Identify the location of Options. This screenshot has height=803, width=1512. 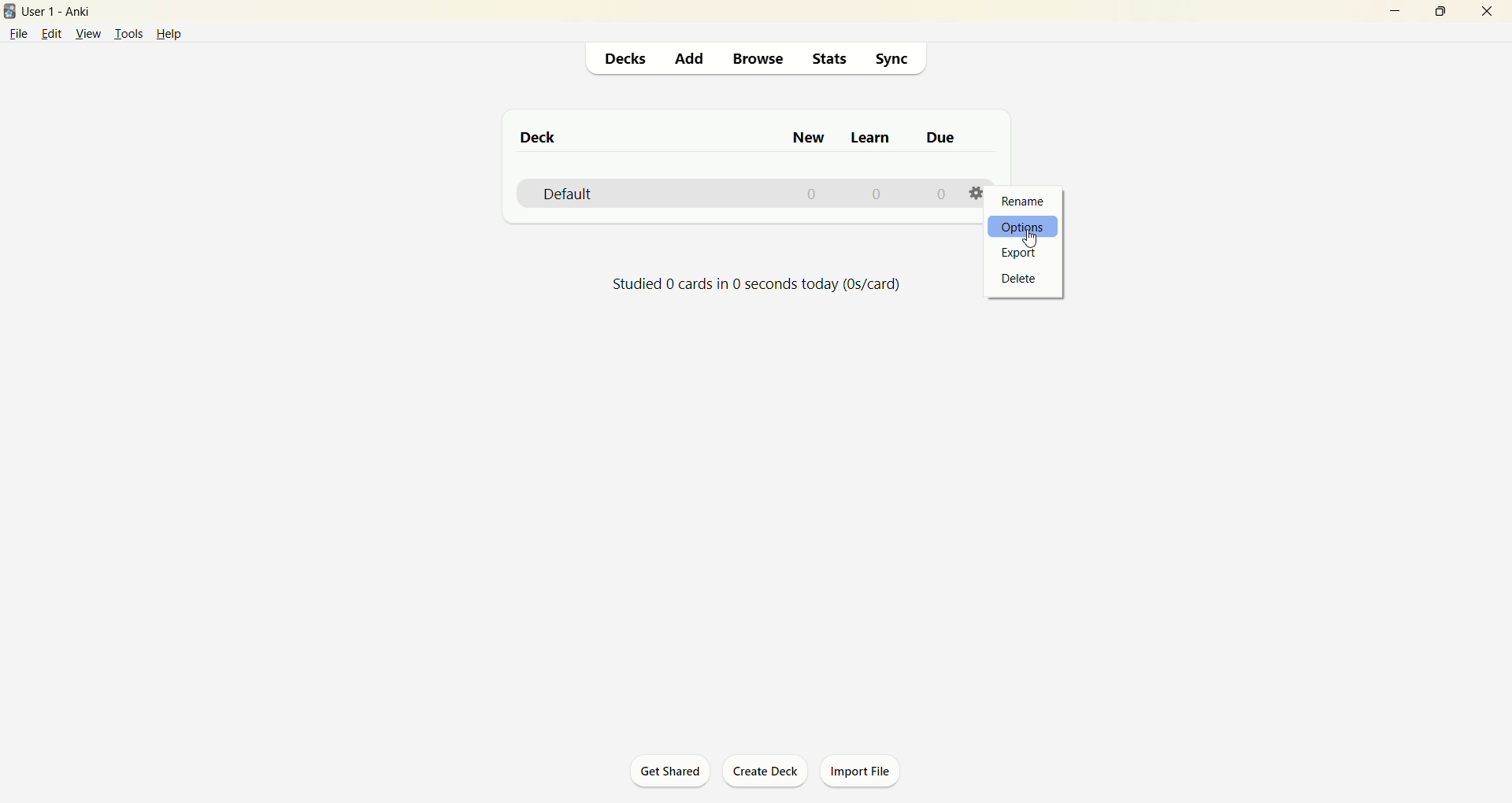
(977, 191).